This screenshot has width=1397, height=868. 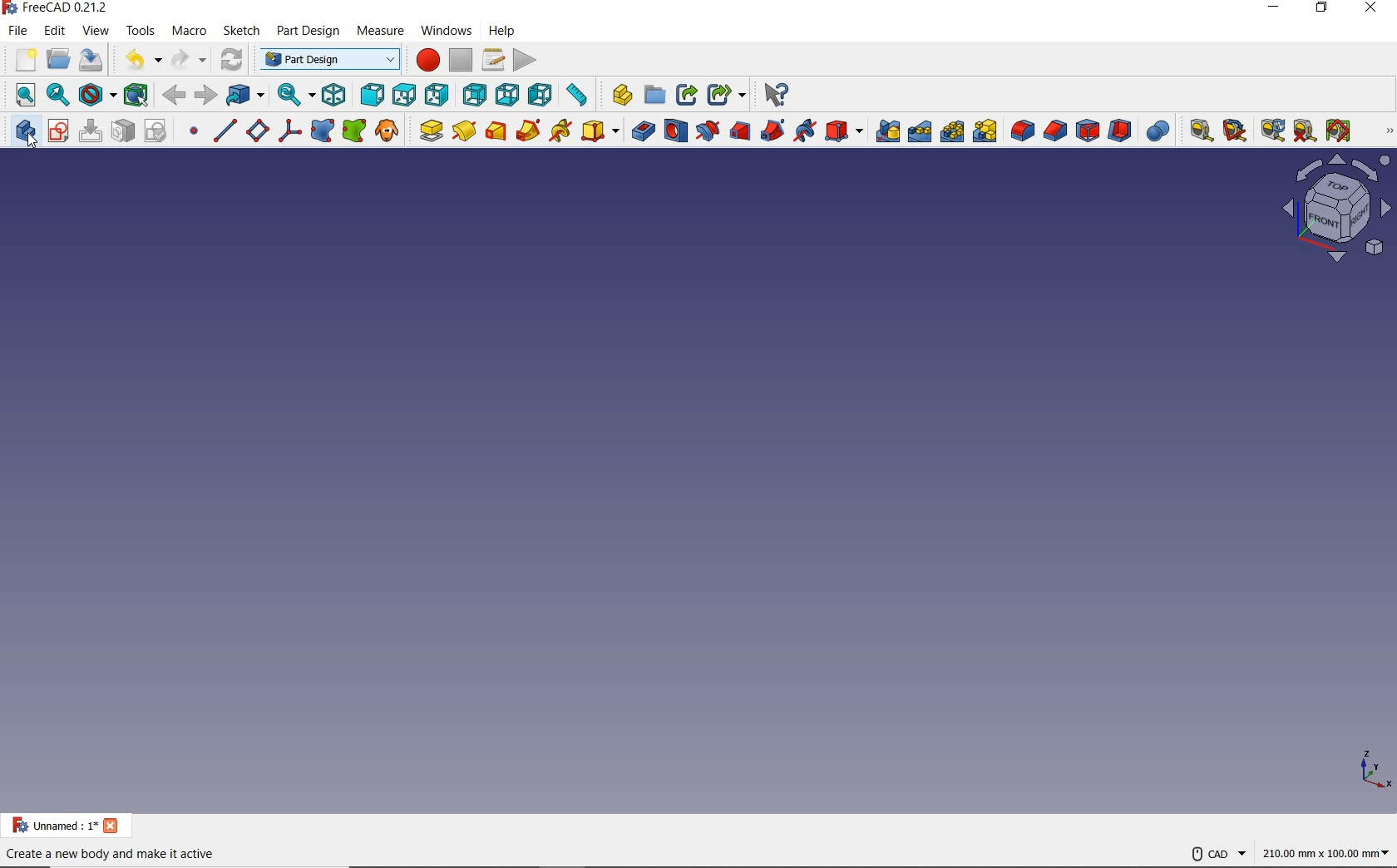 I want to click on THICKNESS, so click(x=1121, y=128).